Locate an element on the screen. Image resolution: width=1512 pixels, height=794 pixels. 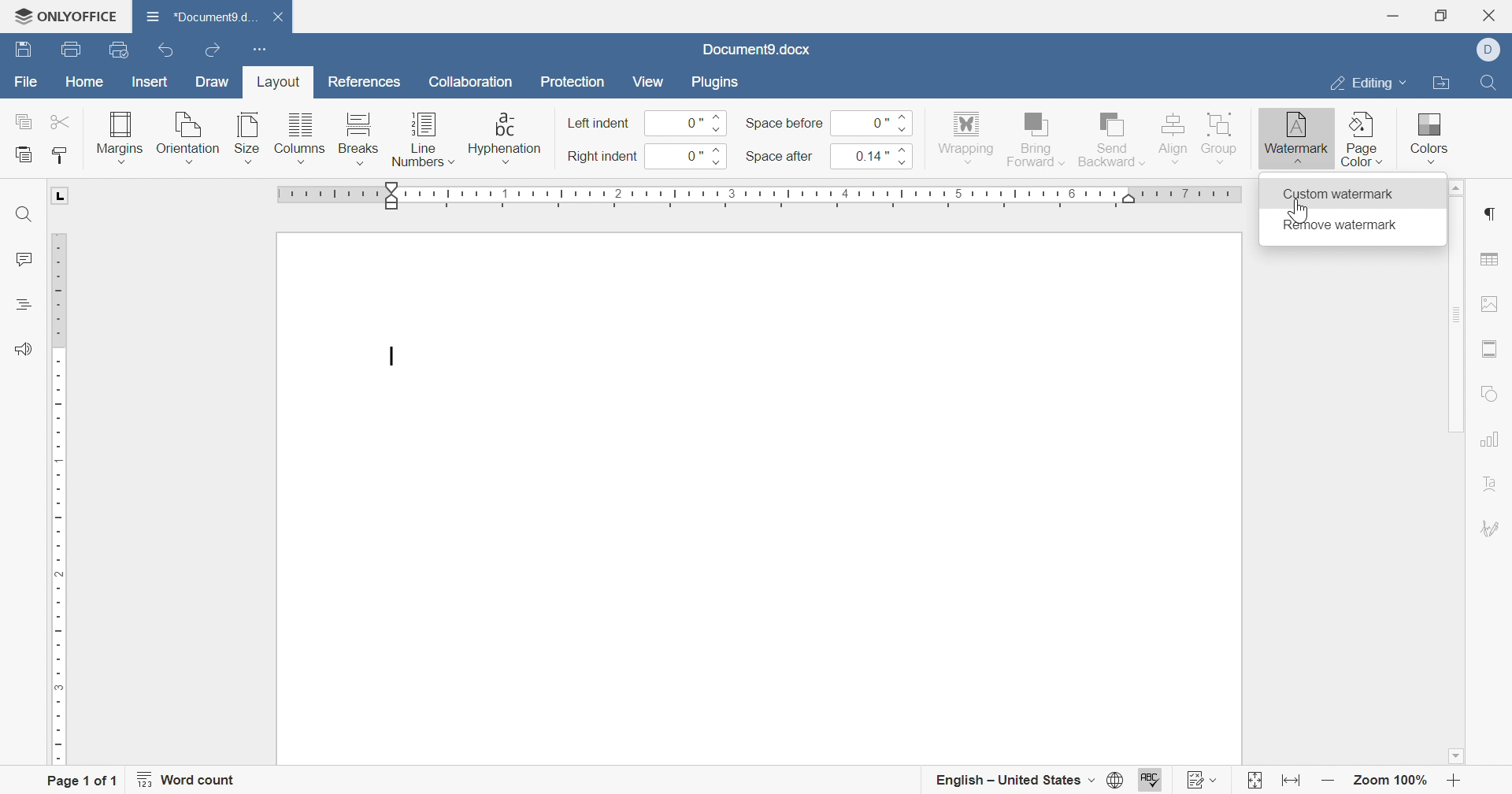
right indent is located at coordinates (602, 158).